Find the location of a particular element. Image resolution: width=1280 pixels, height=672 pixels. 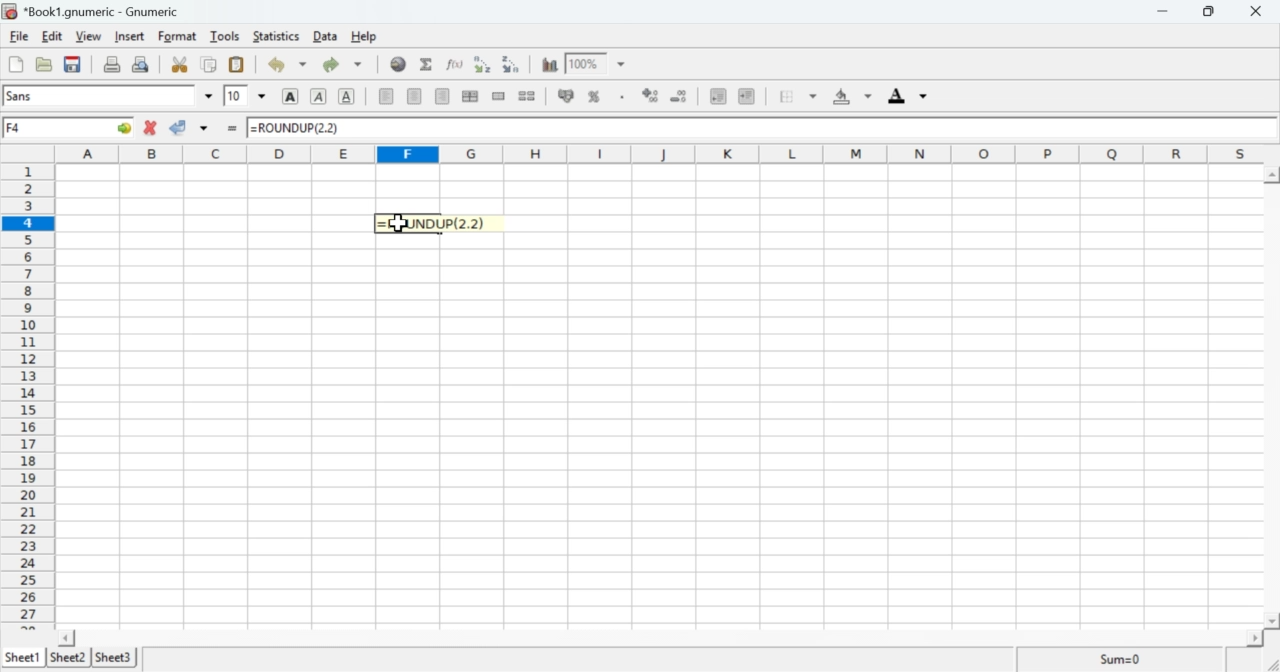

Align right is located at coordinates (442, 99).